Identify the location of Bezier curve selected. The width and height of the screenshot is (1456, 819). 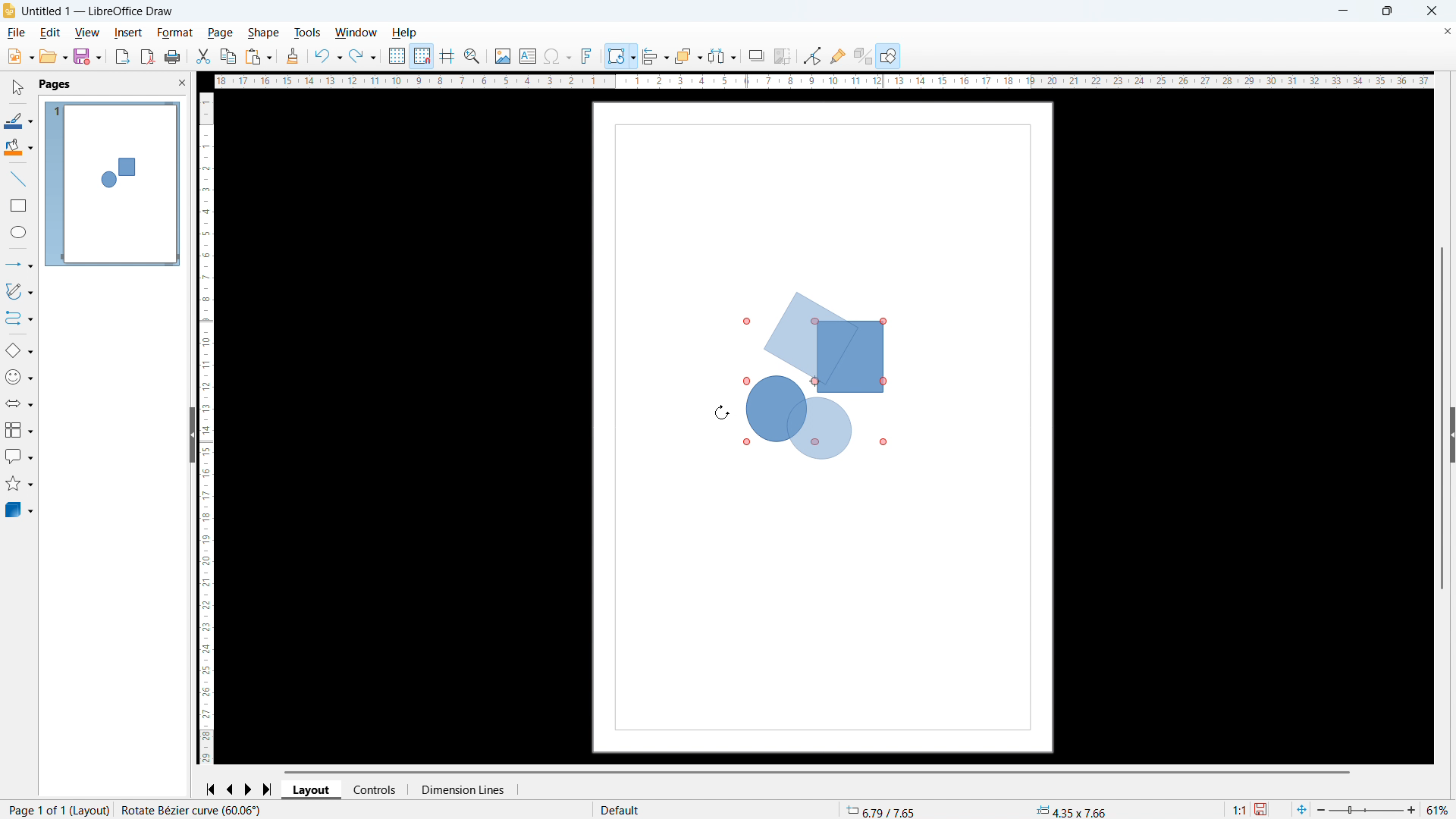
(187, 810).